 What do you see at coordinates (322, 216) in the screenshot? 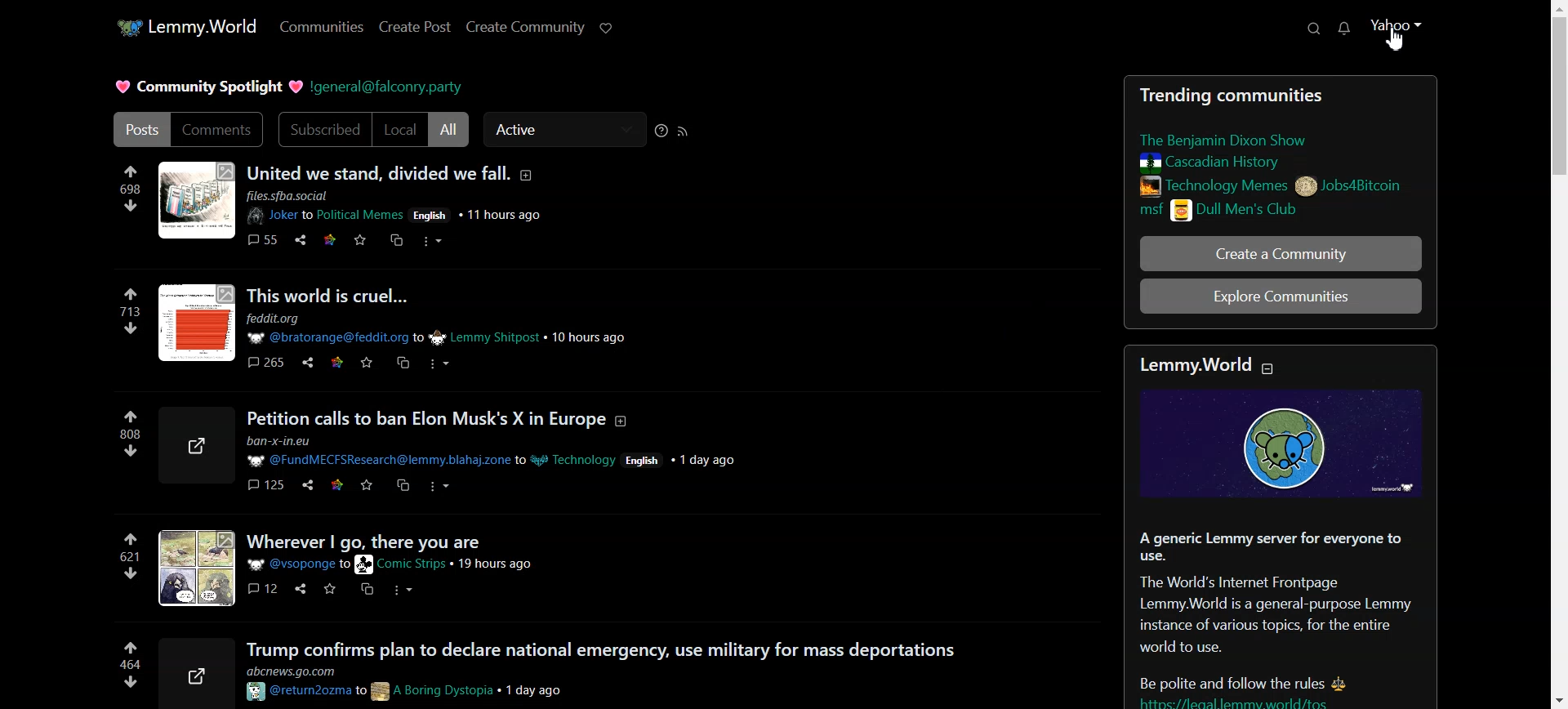
I see `Joker to Political Memes` at bounding box center [322, 216].